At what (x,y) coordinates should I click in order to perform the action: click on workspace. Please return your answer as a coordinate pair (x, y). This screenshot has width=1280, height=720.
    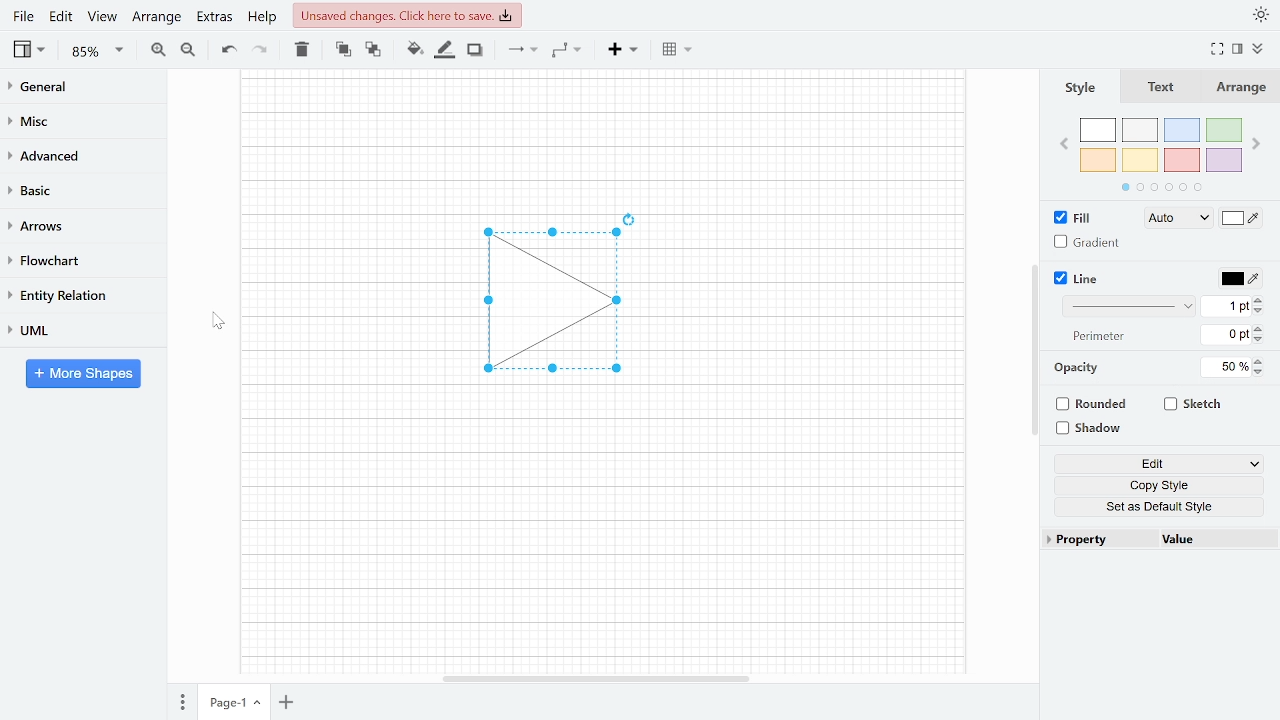
    Looking at the image, I should click on (602, 135).